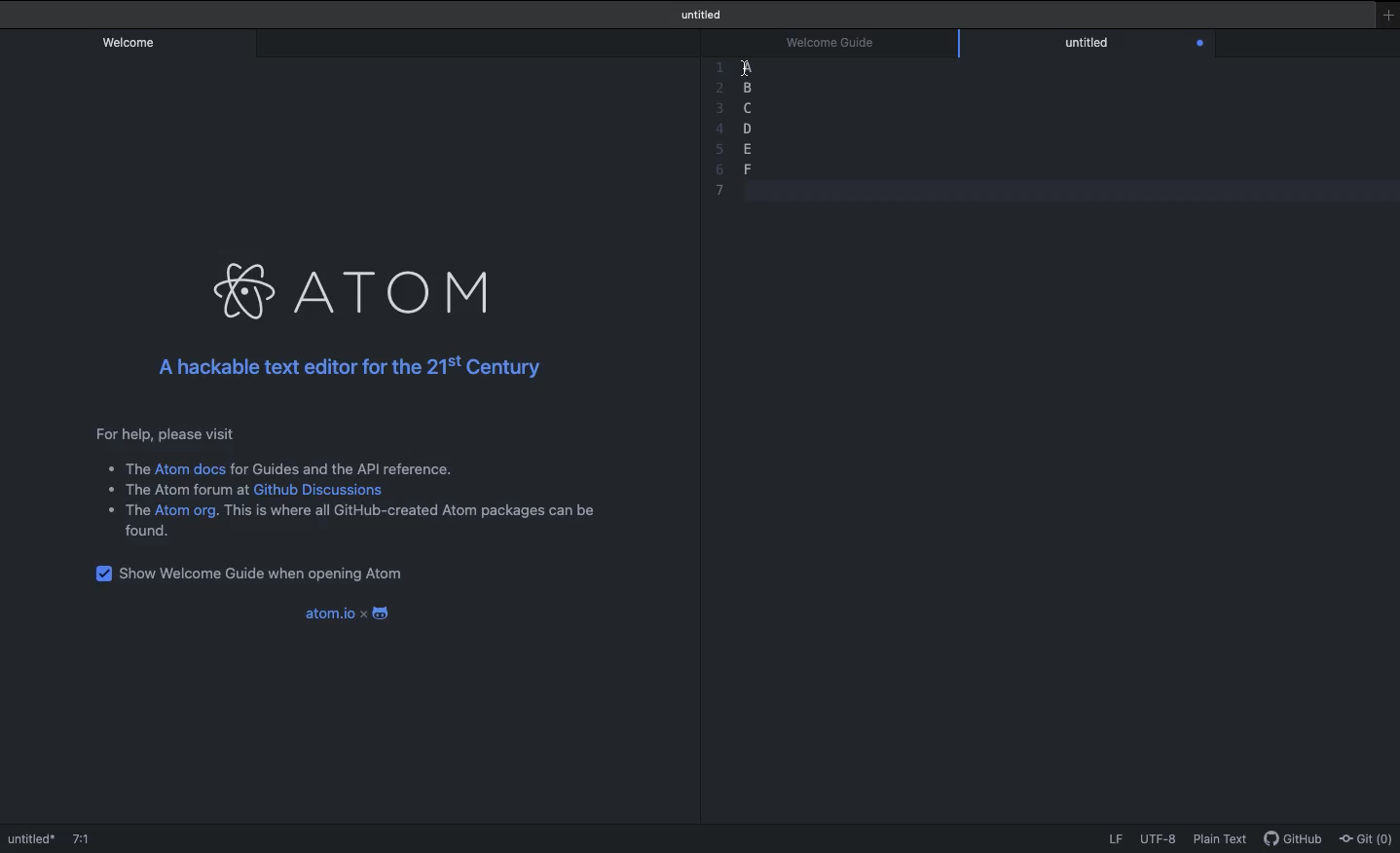 The height and width of the screenshot is (853, 1400). Describe the element at coordinates (747, 148) in the screenshot. I see `e` at that location.